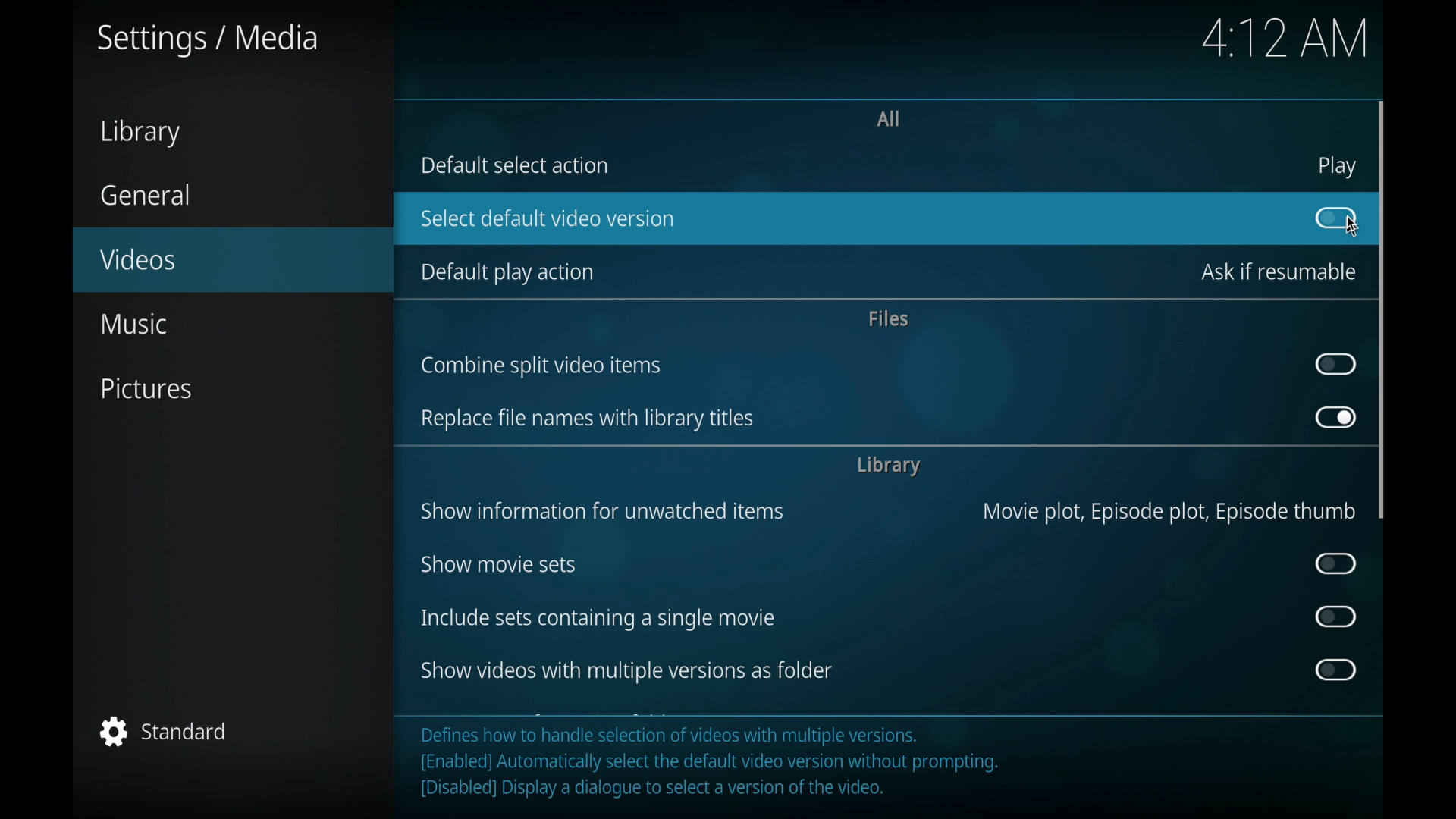 This screenshot has height=819, width=1456. What do you see at coordinates (1336, 563) in the screenshot?
I see `toggle button` at bounding box center [1336, 563].